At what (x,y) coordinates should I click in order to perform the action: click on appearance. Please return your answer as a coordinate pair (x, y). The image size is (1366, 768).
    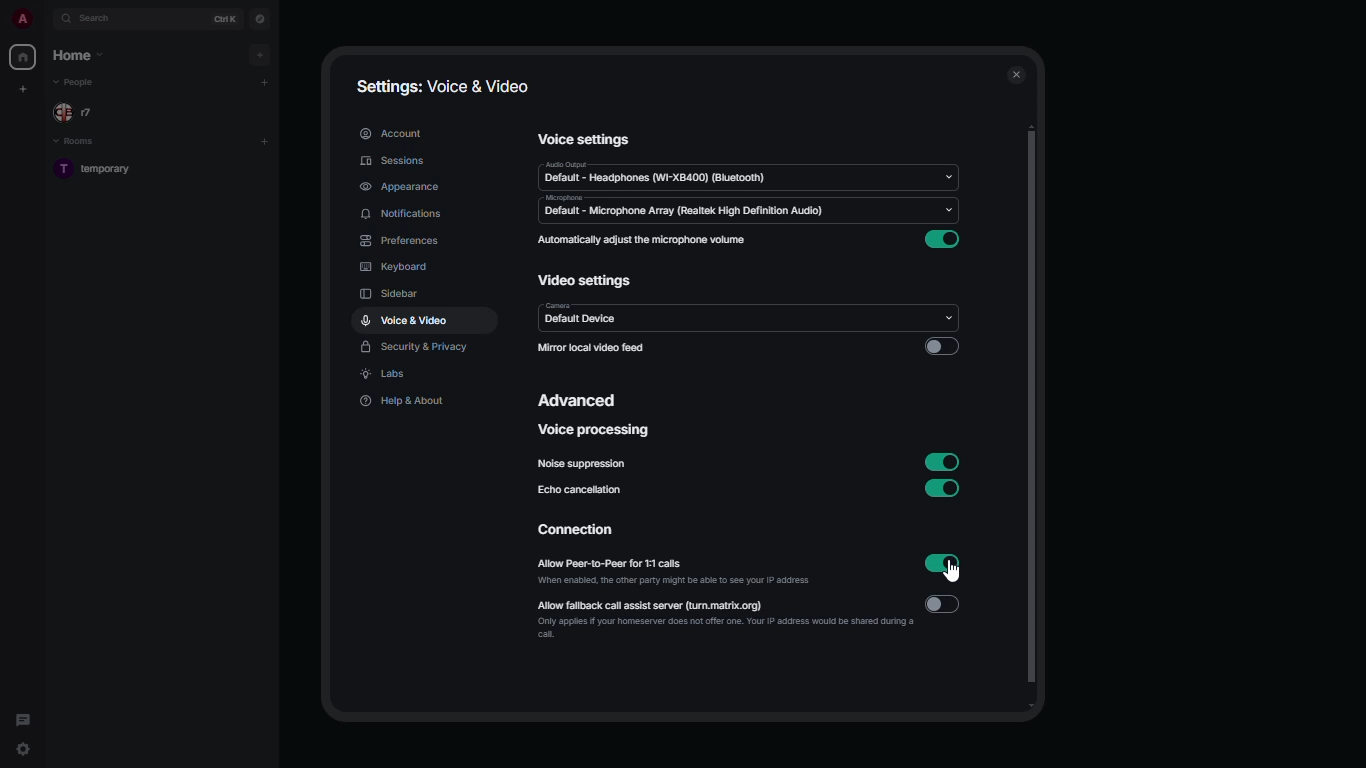
    Looking at the image, I should click on (400, 186).